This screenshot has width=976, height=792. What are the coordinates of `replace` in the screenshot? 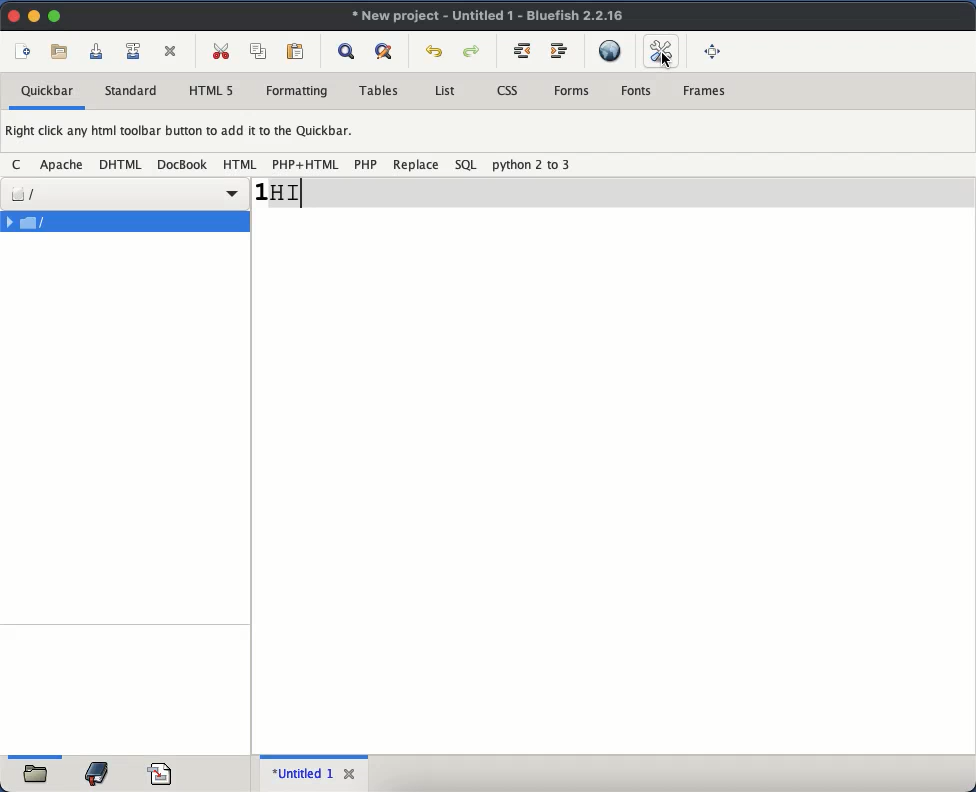 It's located at (417, 166).